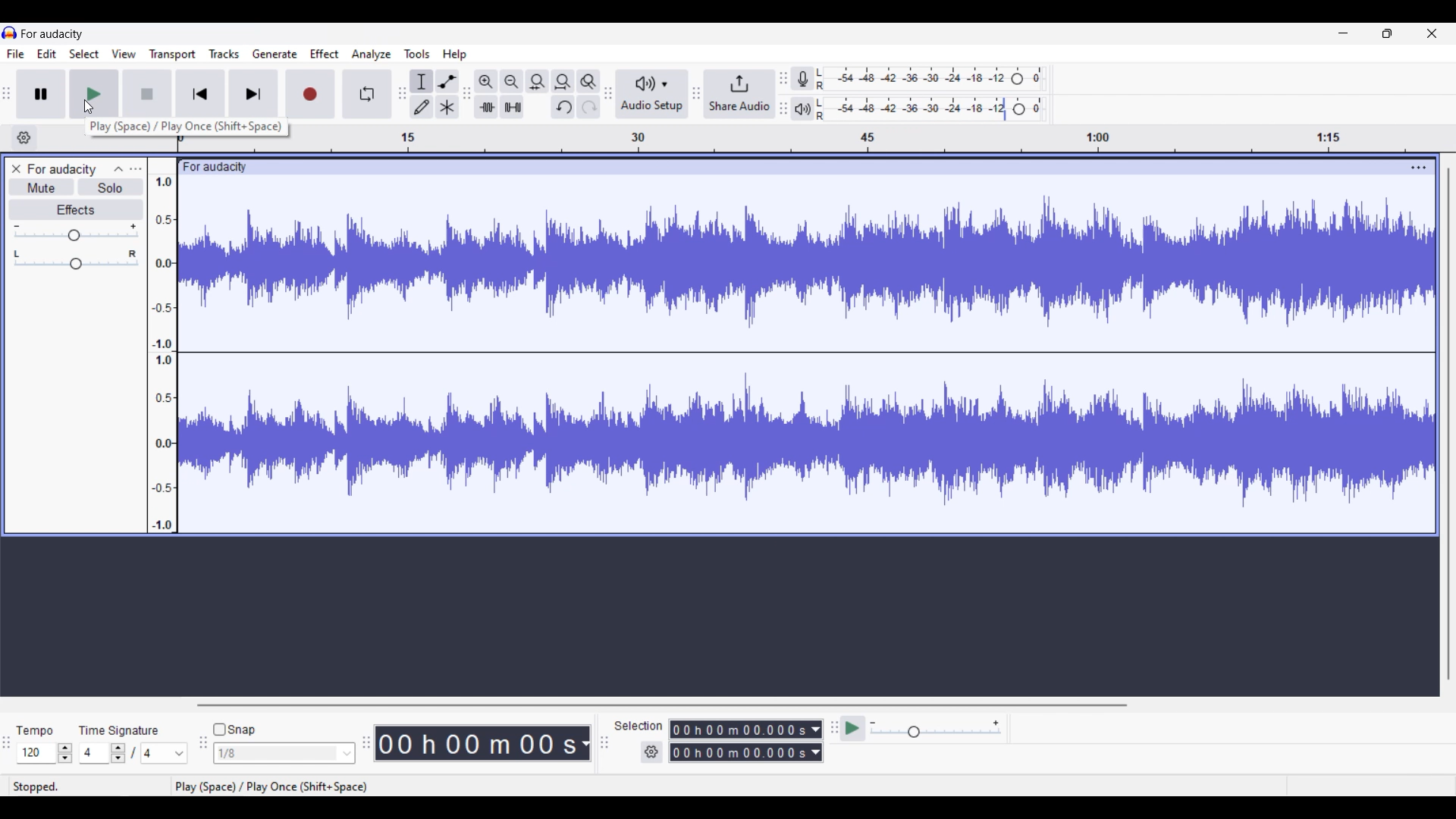 This screenshot has width=1456, height=819. Describe the element at coordinates (422, 81) in the screenshot. I see `Selection tool` at that location.